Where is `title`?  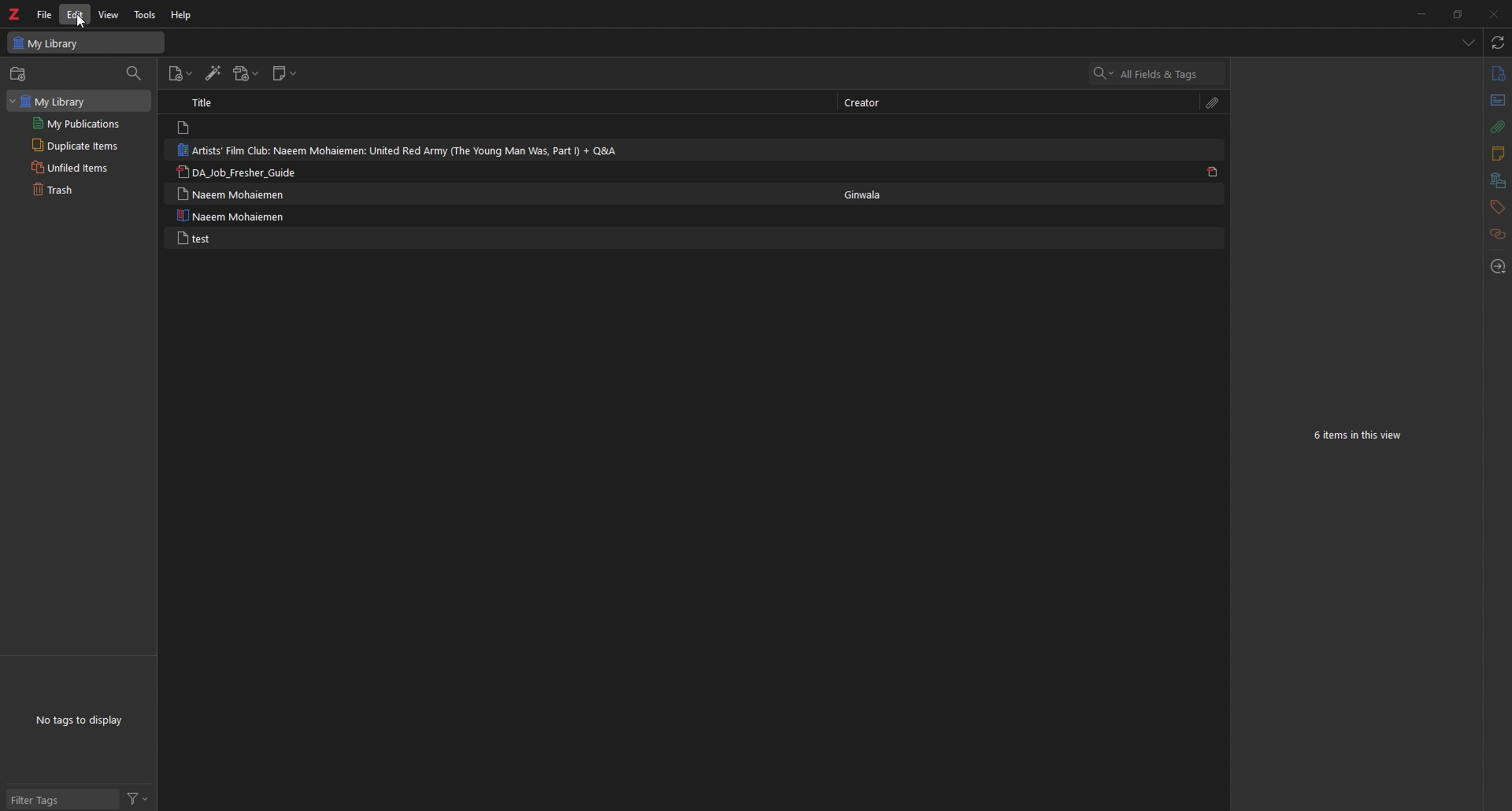 title is located at coordinates (210, 102).